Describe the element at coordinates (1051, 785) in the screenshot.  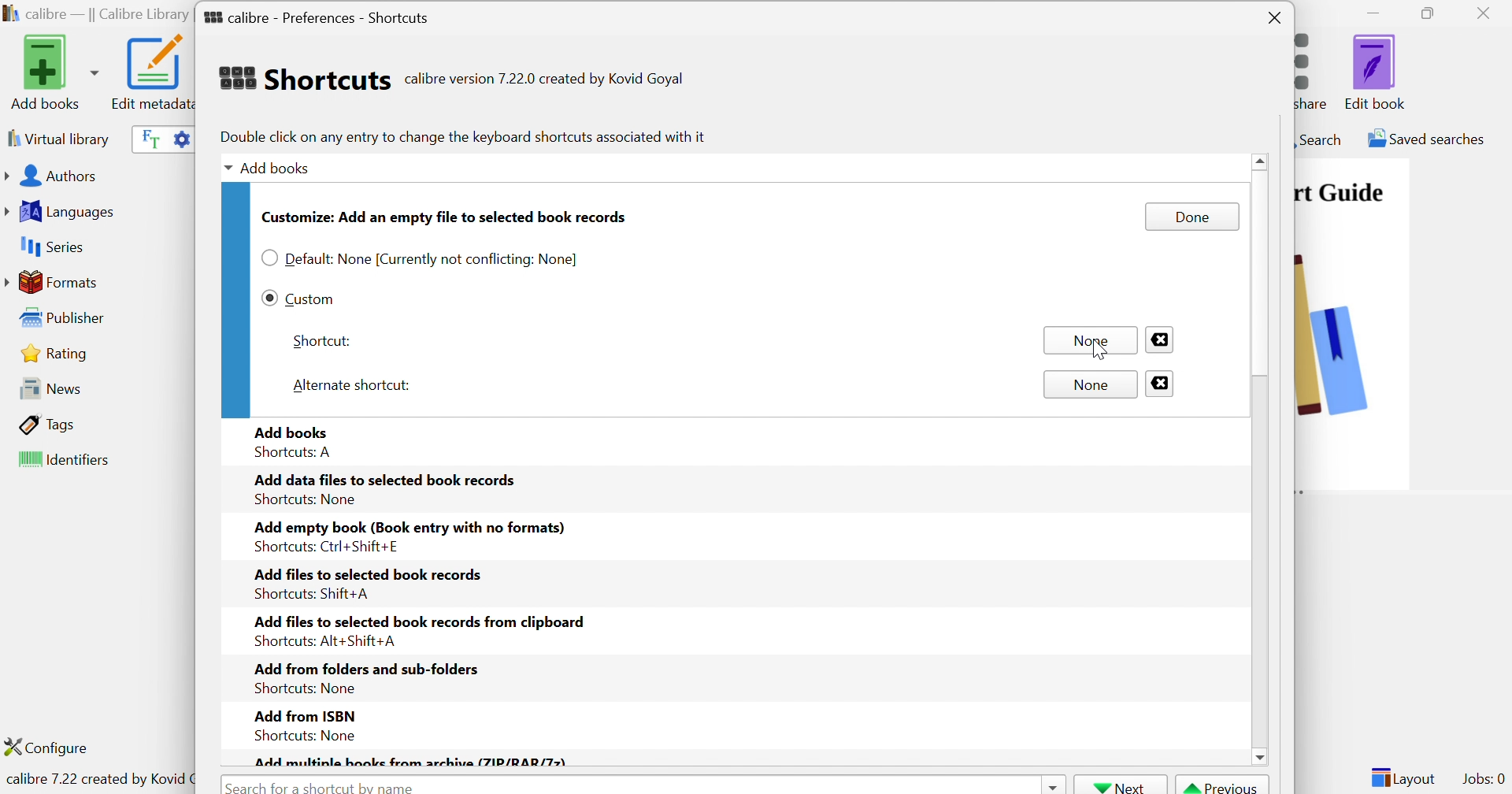
I see `Drop Down` at that location.